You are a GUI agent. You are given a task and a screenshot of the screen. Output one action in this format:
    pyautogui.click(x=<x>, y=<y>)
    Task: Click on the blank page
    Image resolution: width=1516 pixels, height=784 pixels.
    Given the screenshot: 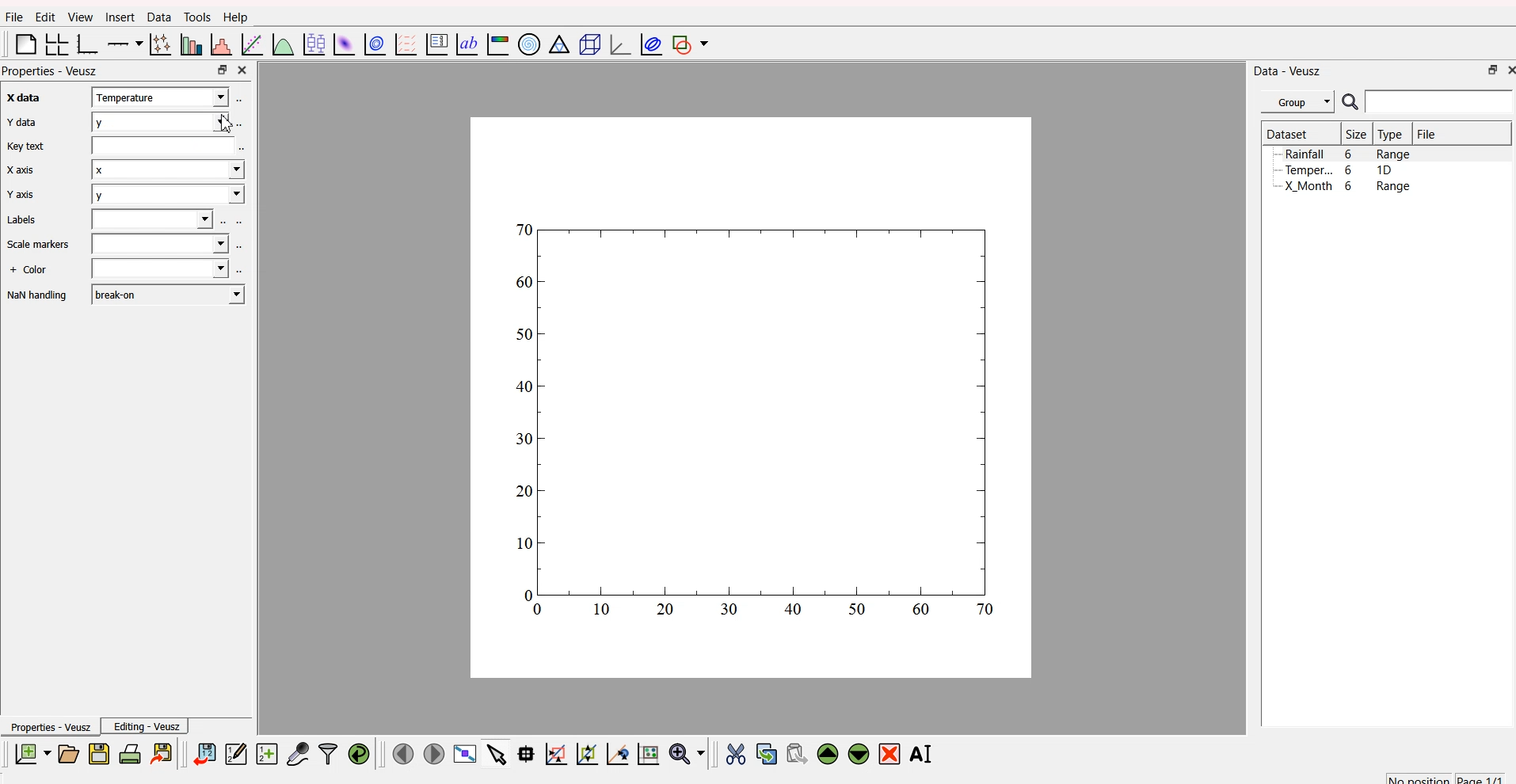 What is the action you would take?
    pyautogui.click(x=22, y=47)
    